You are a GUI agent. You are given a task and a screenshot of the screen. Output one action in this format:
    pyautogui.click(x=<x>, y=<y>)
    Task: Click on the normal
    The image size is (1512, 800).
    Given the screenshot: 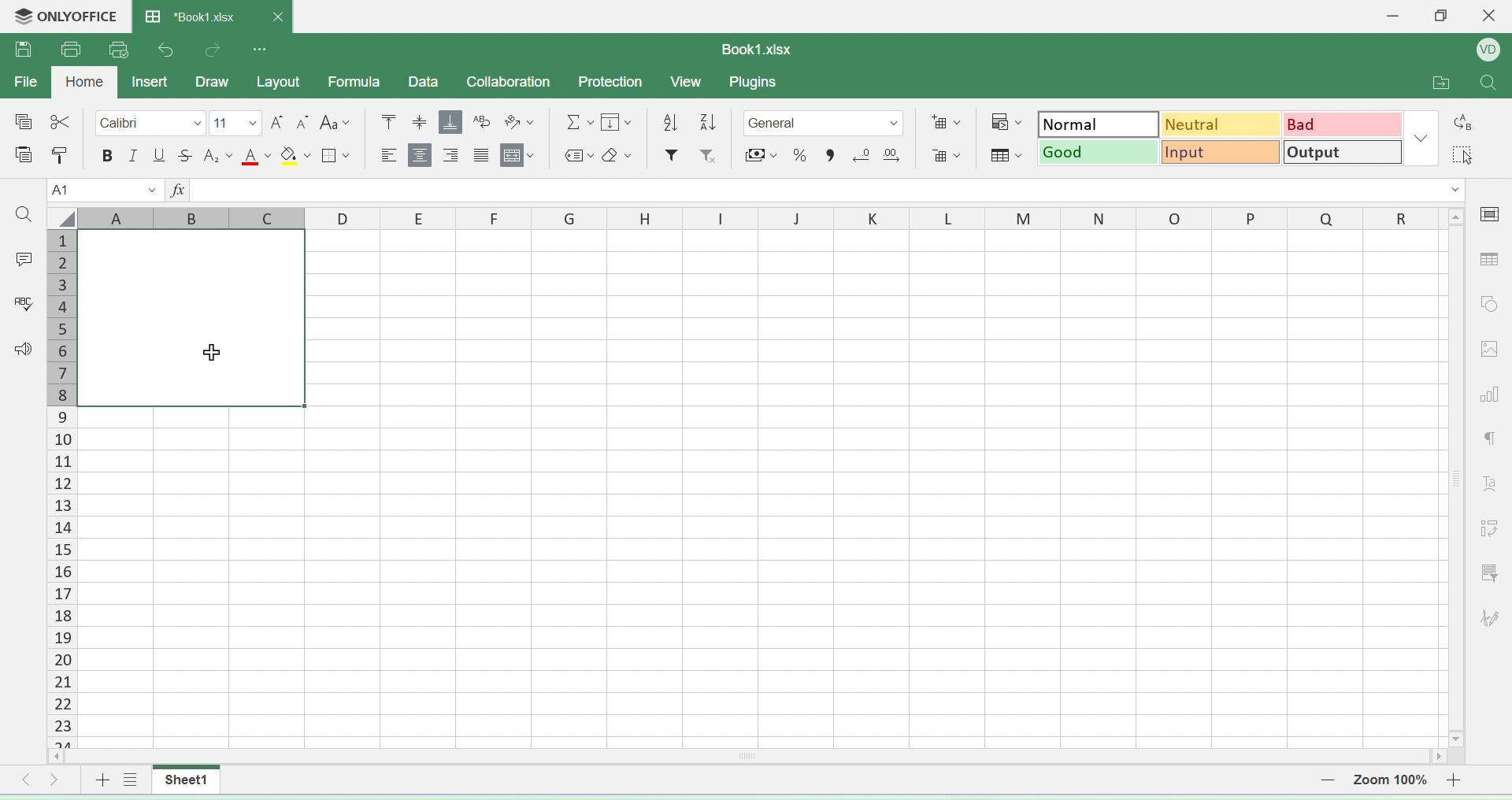 What is the action you would take?
    pyautogui.click(x=1095, y=123)
    